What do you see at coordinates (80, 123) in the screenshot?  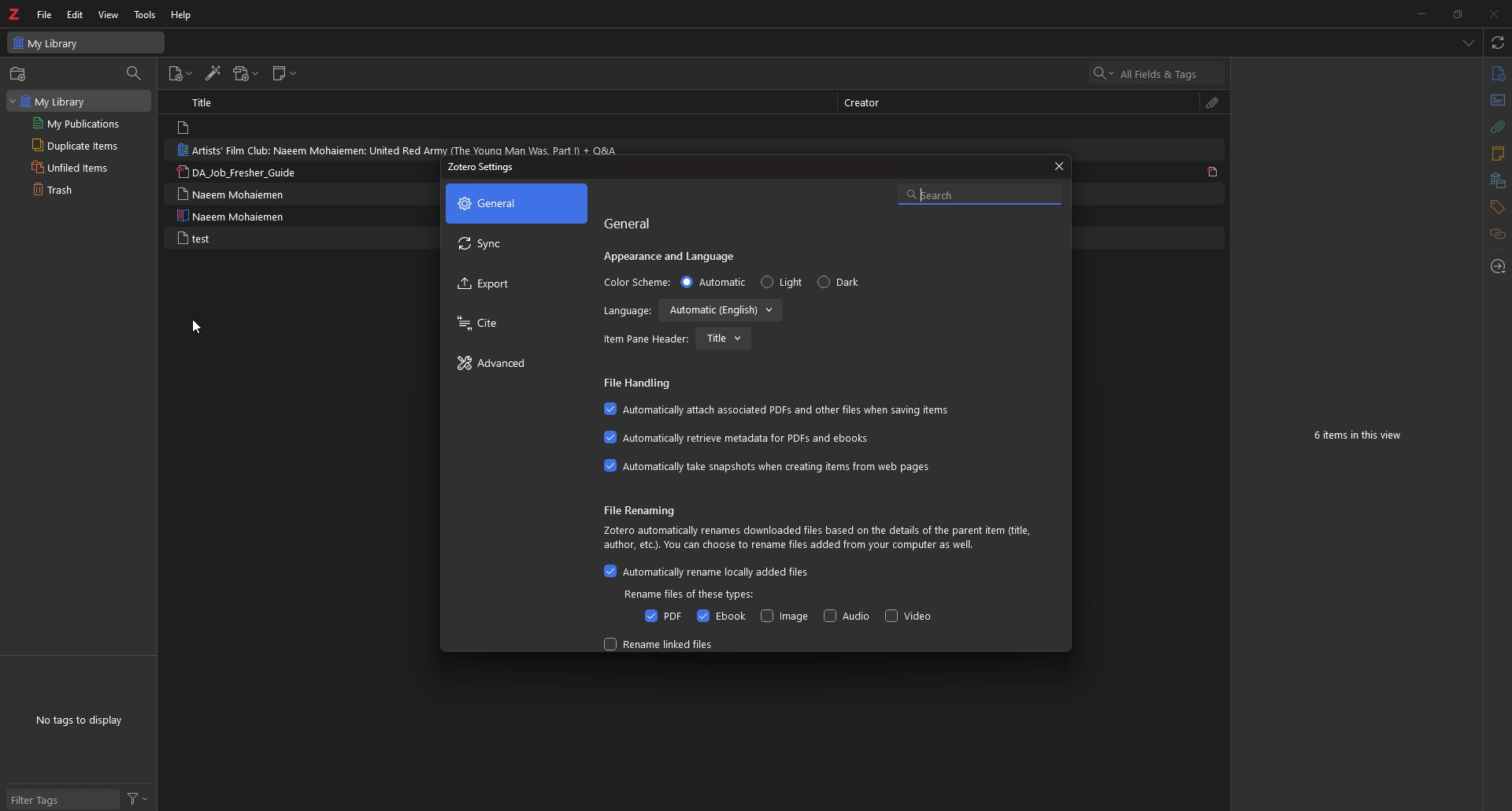 I see `my publications` at bounding box center [80, 123].